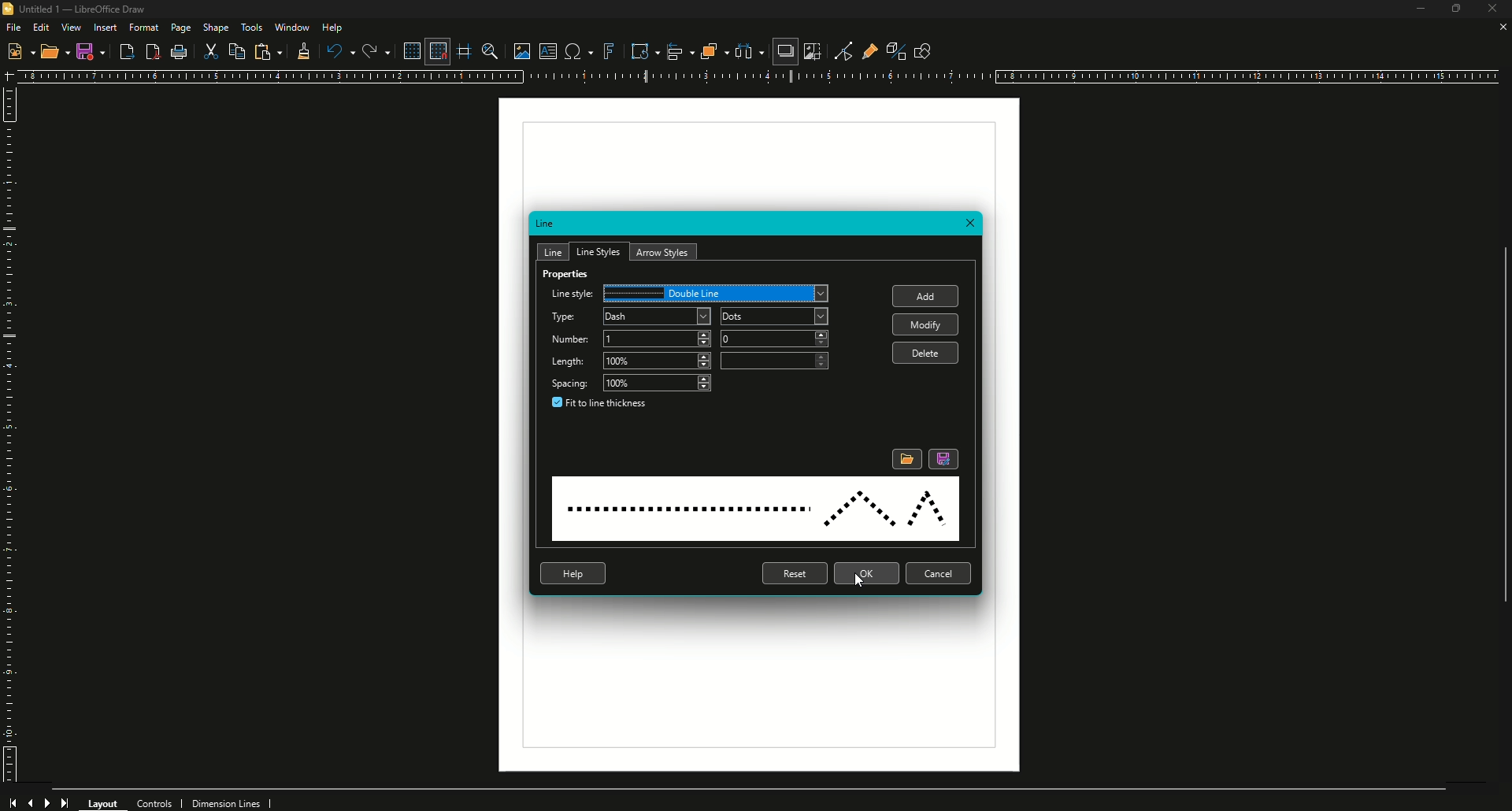  I want to click on Save, so click(91, 51).